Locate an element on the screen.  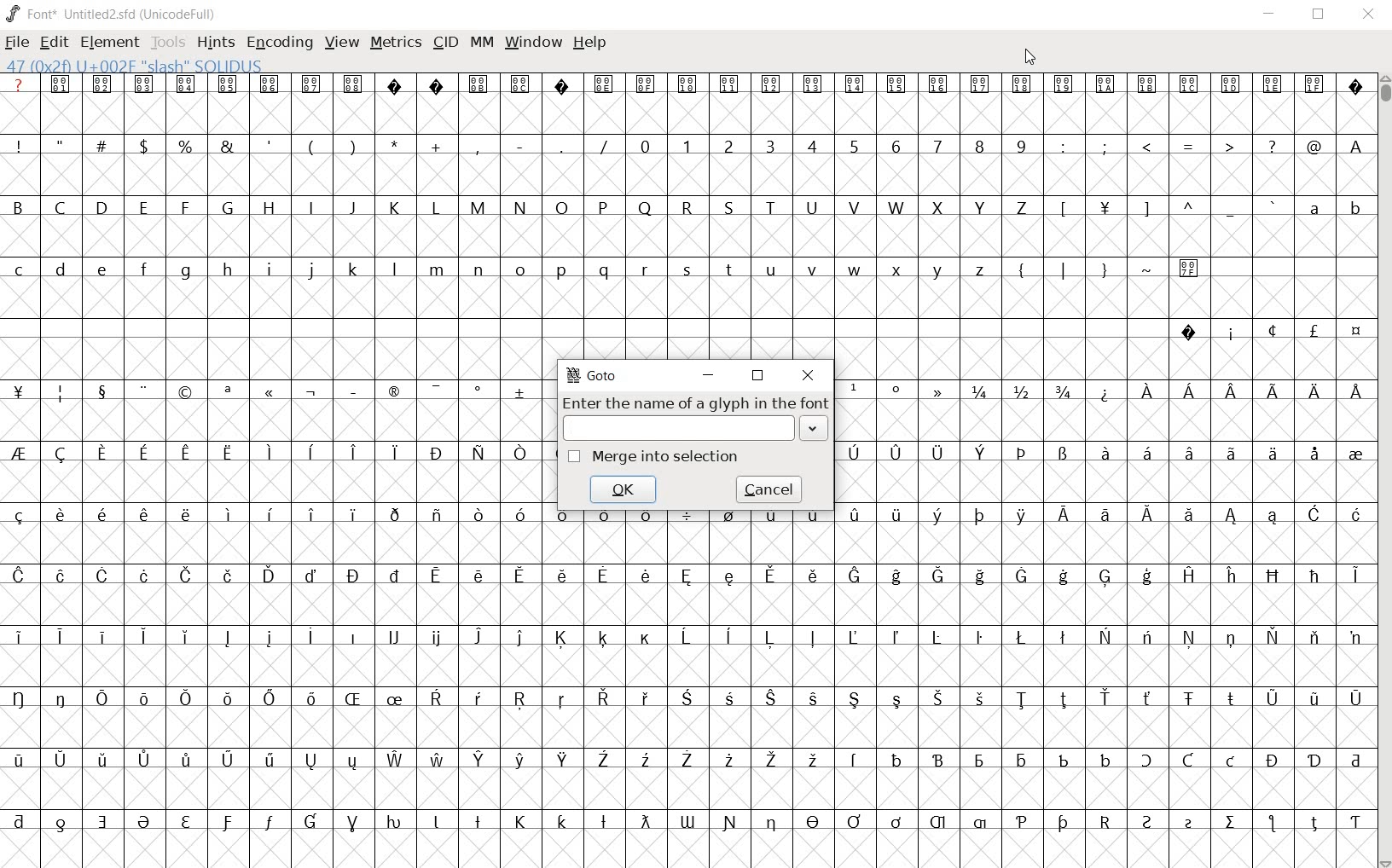
METRICS is located at coordinates (393, 45).